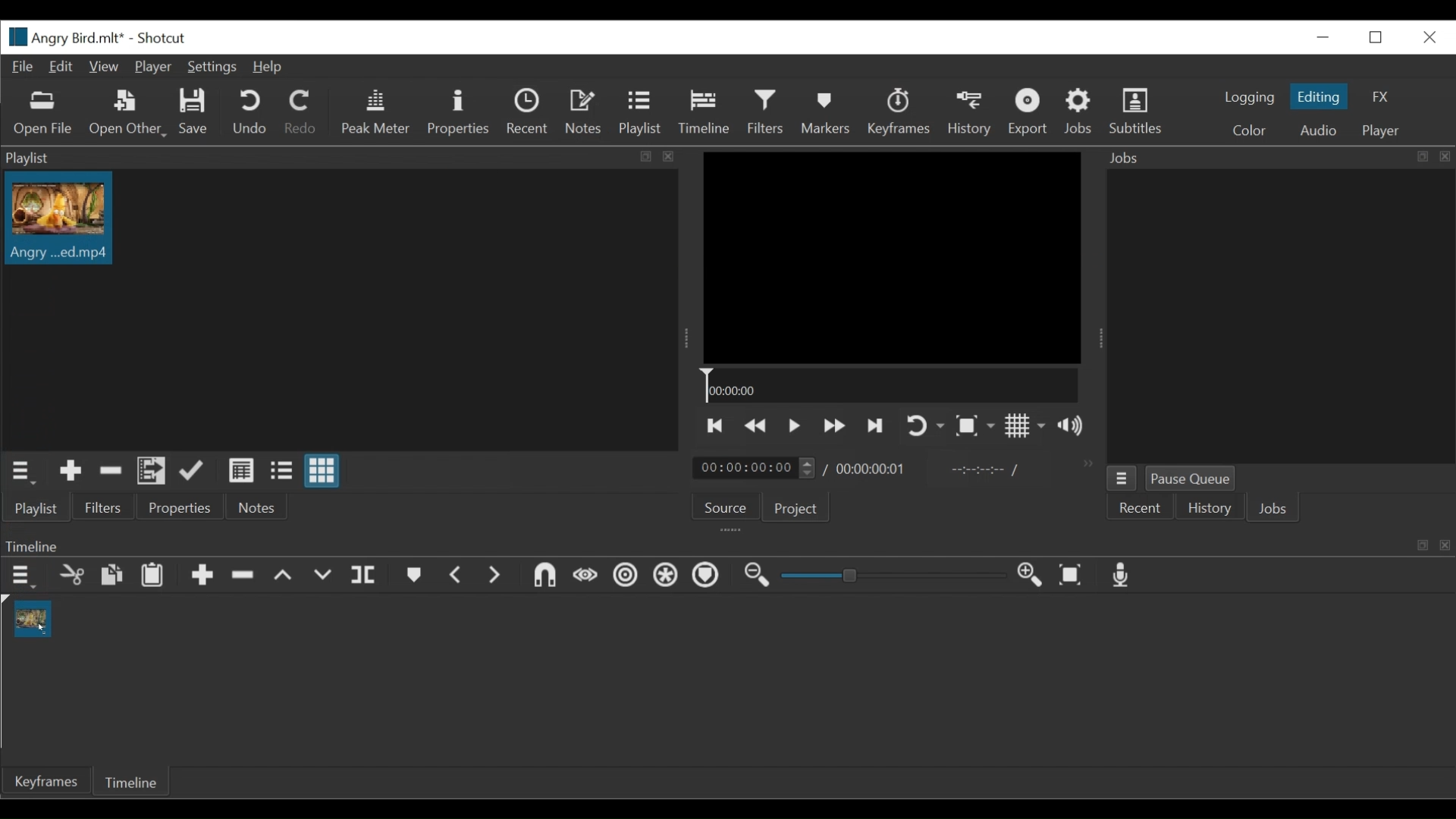 The image size is (1456, 819). I want to click on History, so click(971, 115).